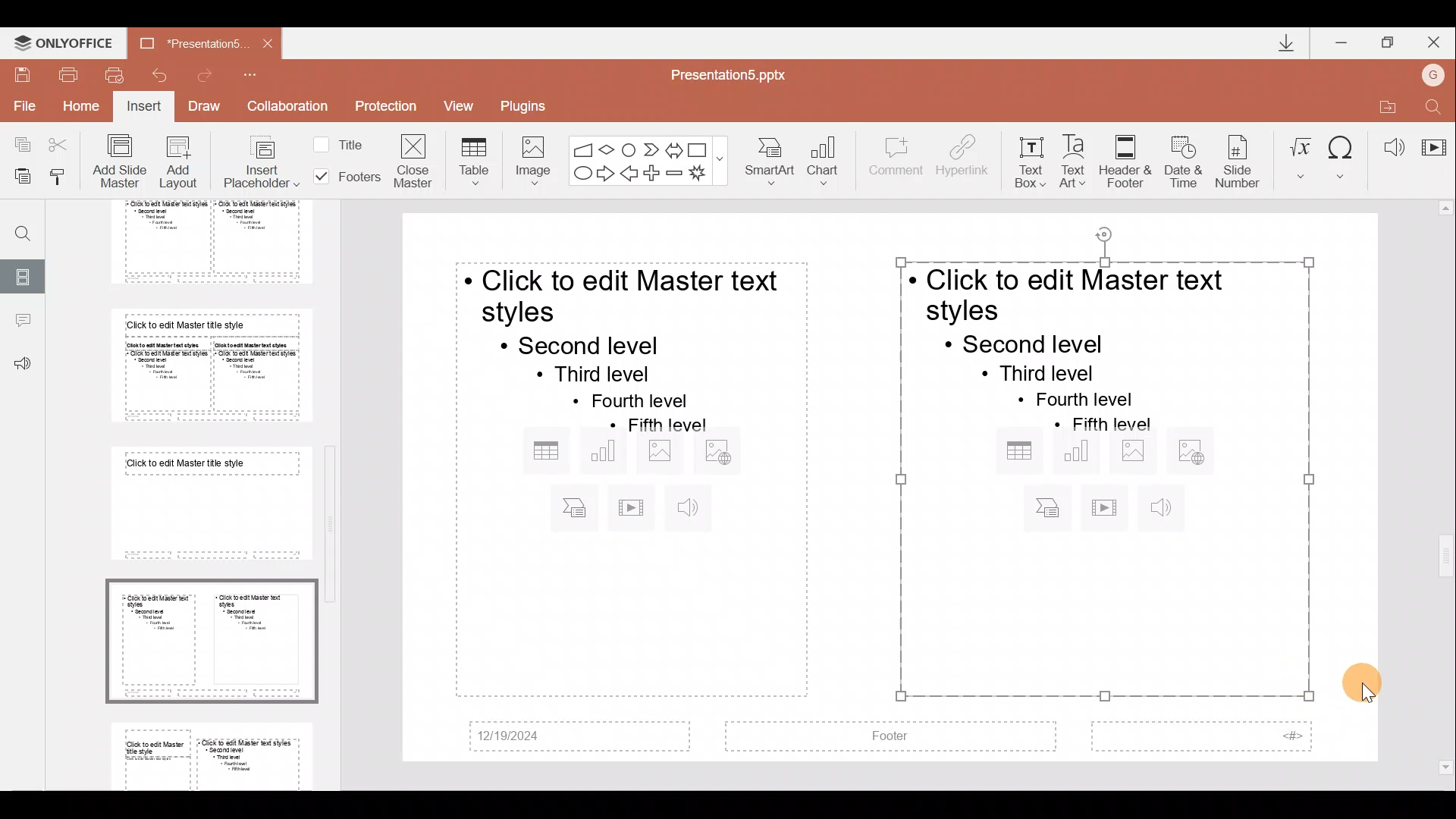 The width and height of the screenshot is (1456, 819). What do you see at coordinates (1436, 39) in the screenshot?
I see `Close` at bounding box center [1436, 39].